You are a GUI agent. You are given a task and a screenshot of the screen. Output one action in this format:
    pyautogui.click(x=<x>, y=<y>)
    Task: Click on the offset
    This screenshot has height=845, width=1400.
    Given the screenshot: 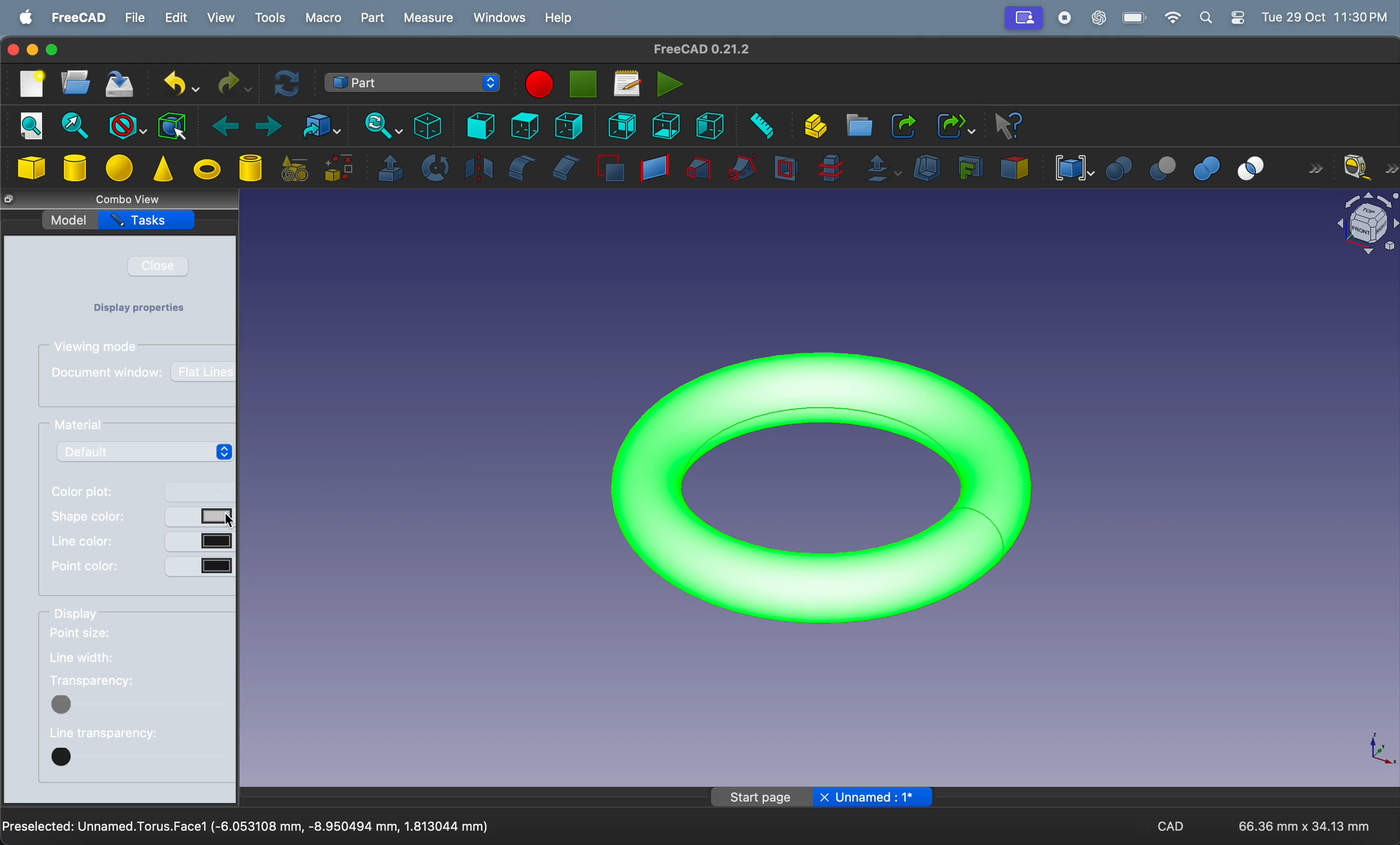 What is the action you would take?
    pyautogui.click(x=881, y=169)
    